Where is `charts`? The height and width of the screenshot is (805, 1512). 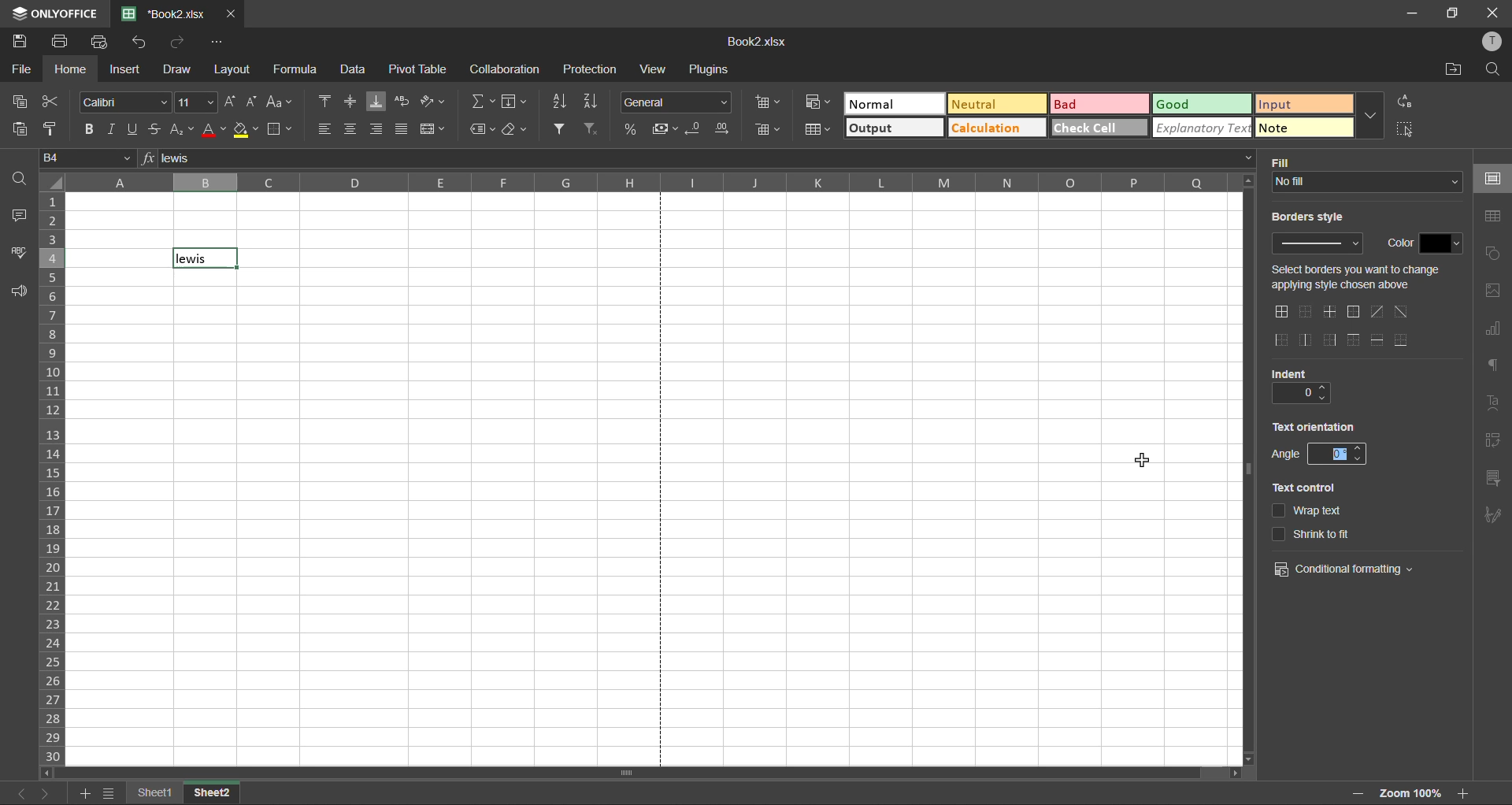
charts is located at coordinates (1492, 332).